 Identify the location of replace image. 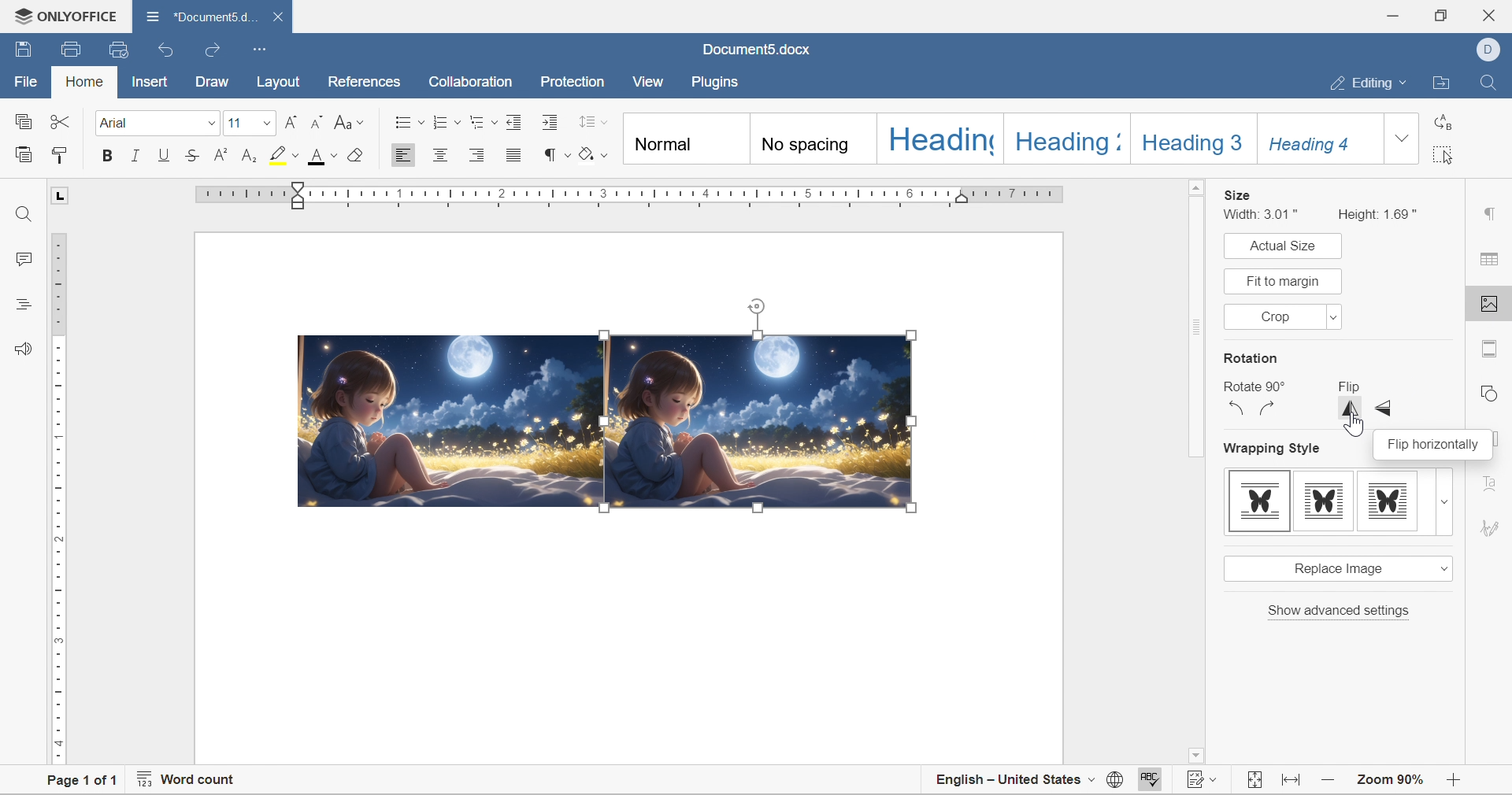
(1336, 568).